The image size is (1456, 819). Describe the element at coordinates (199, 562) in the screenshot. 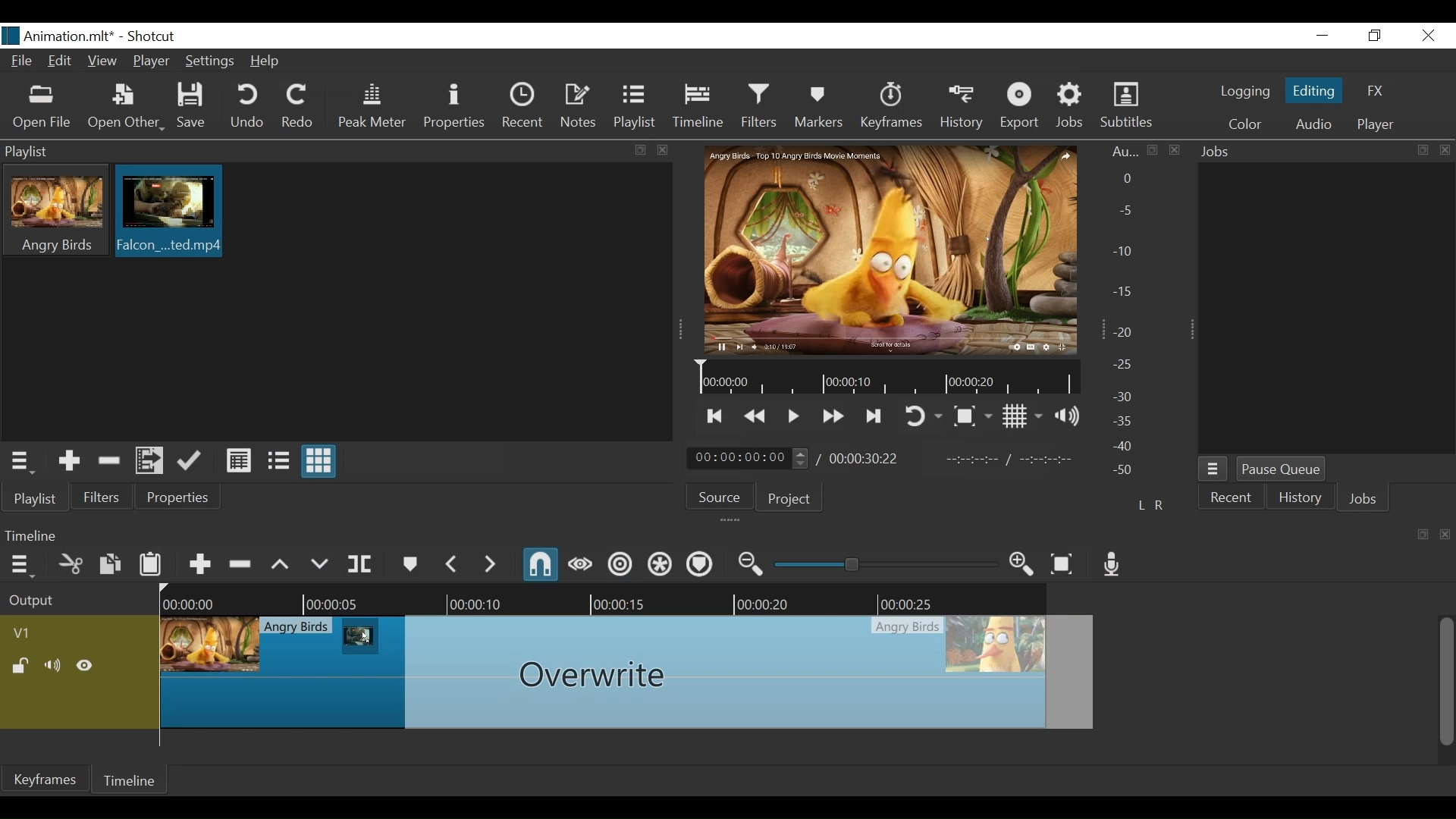

I see `Append` at that location.